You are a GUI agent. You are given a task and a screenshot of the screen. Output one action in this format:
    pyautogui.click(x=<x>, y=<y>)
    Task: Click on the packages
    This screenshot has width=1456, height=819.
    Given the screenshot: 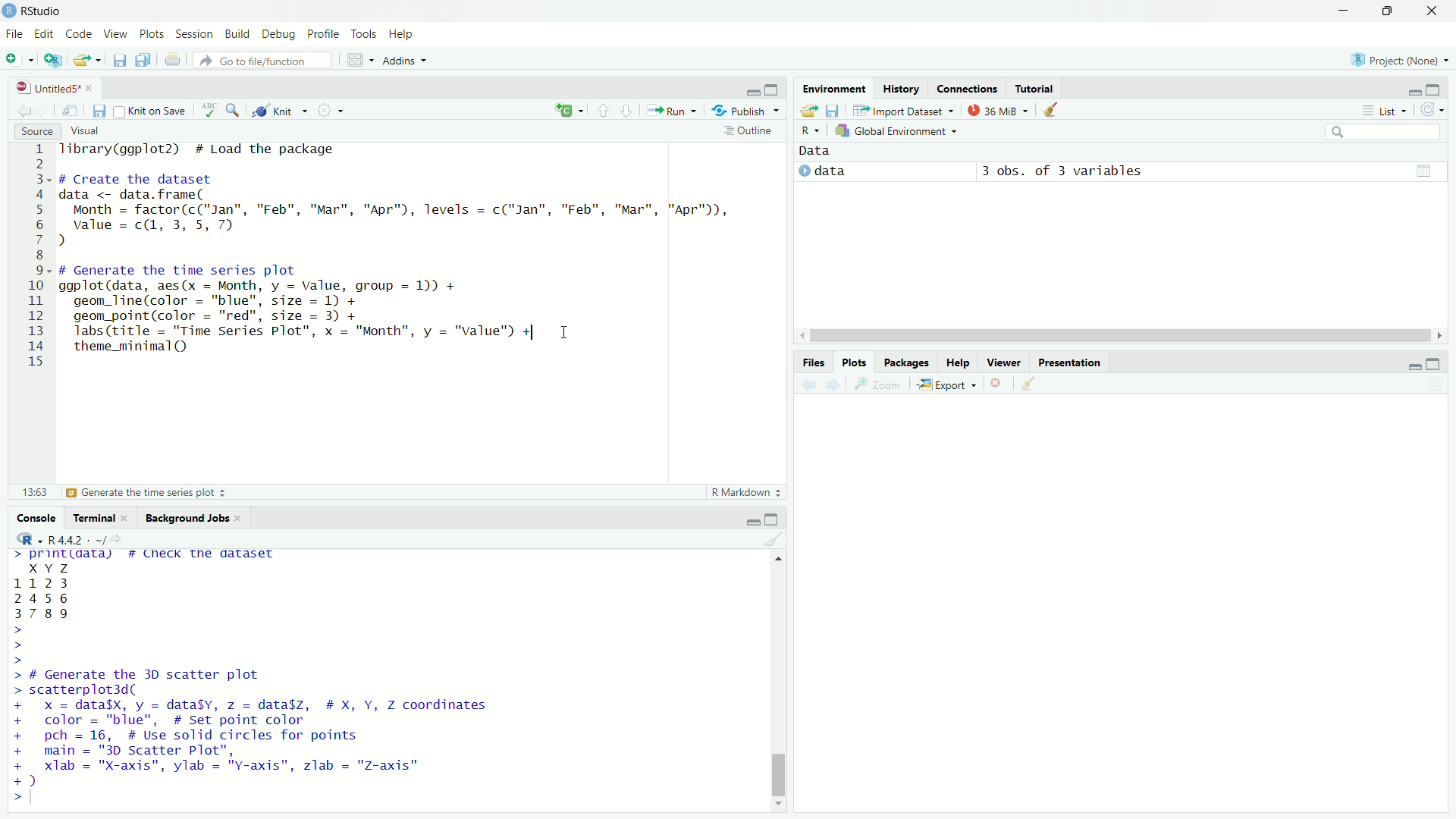 What is the action you would take?
    pyautogui.click(x=908, y=363)
    